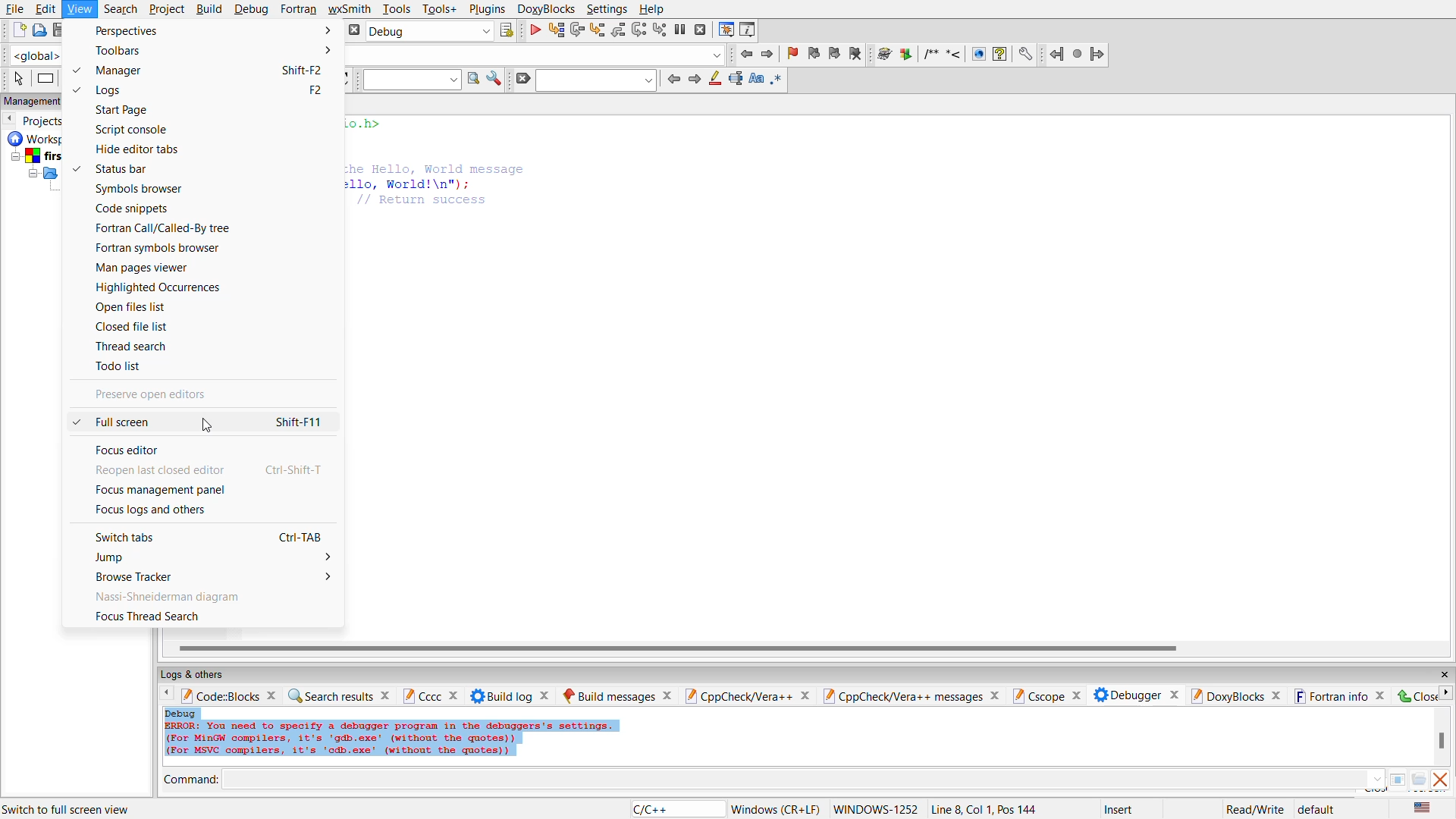  What do you see at coordinates (507, 695) in the screenshot?
I see `build log` at bounding box center [507, 695].